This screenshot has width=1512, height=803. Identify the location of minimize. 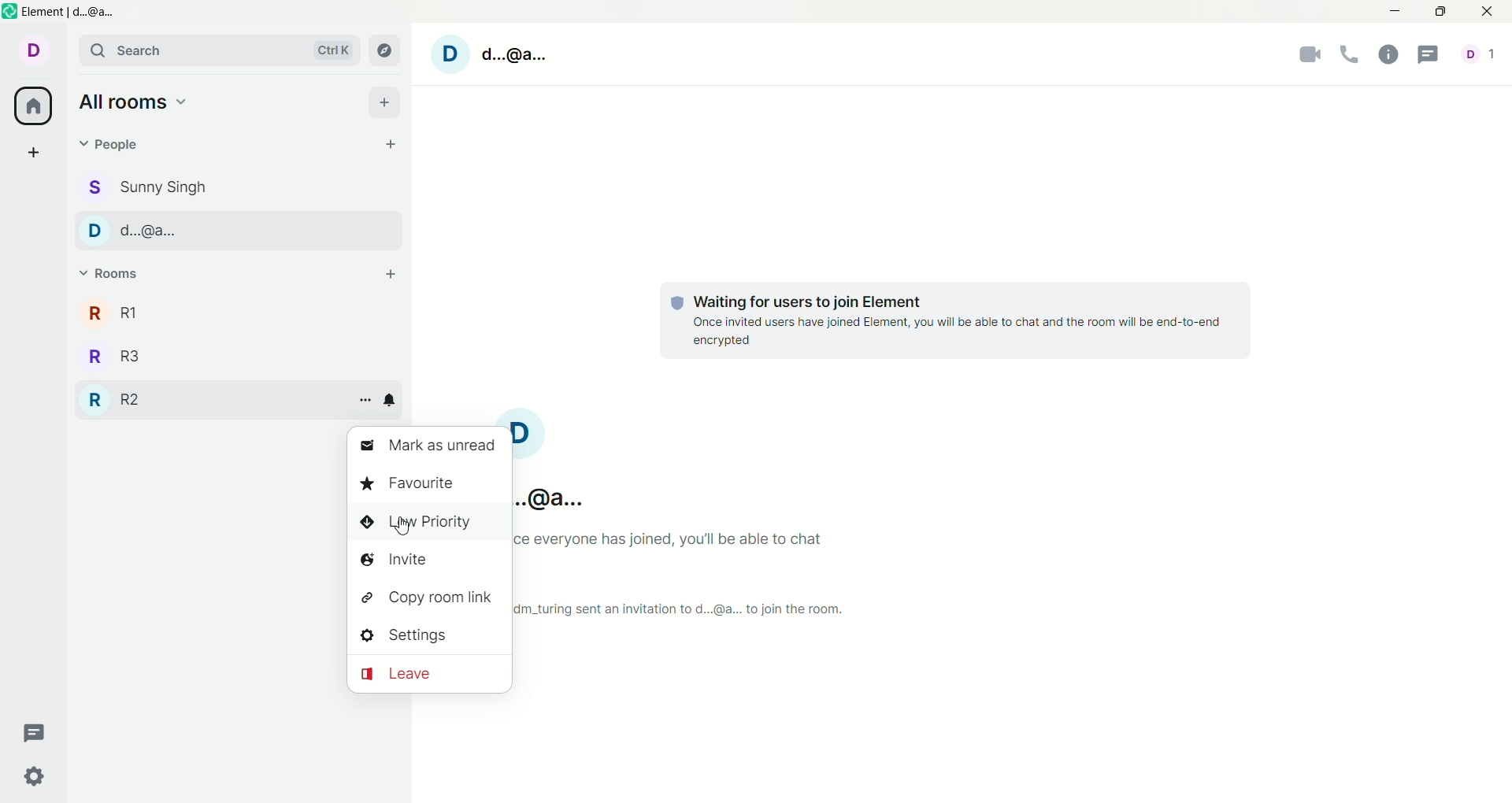
(1400, 10).